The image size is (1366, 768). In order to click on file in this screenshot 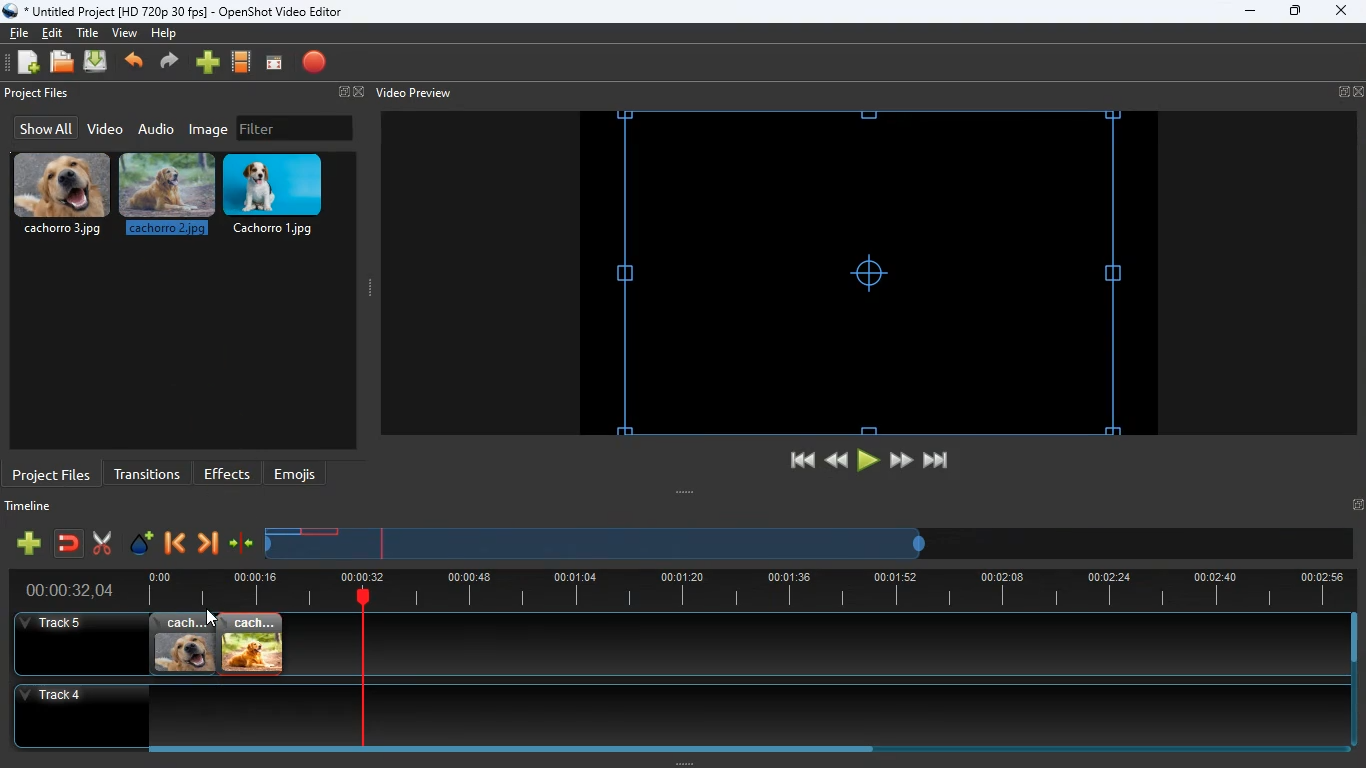, I will do `click(19, 31)`.